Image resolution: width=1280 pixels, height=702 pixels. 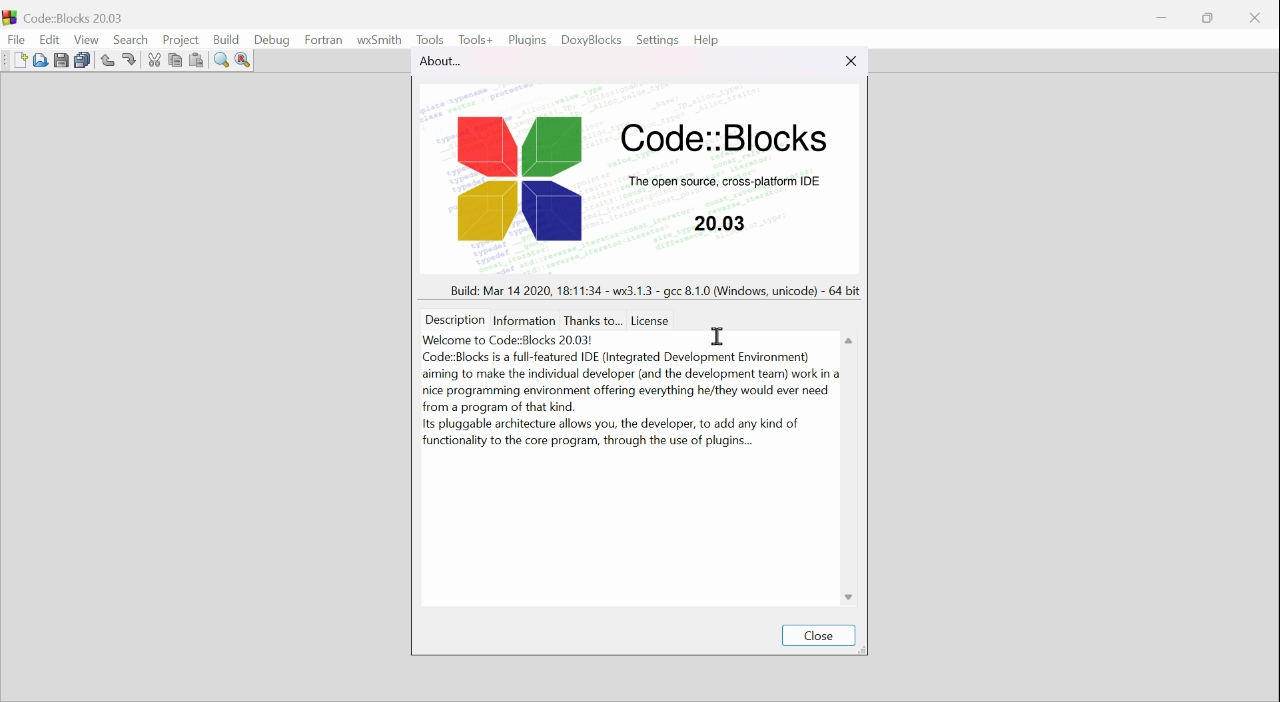 I want to click on file, so click(x=16, y=40).